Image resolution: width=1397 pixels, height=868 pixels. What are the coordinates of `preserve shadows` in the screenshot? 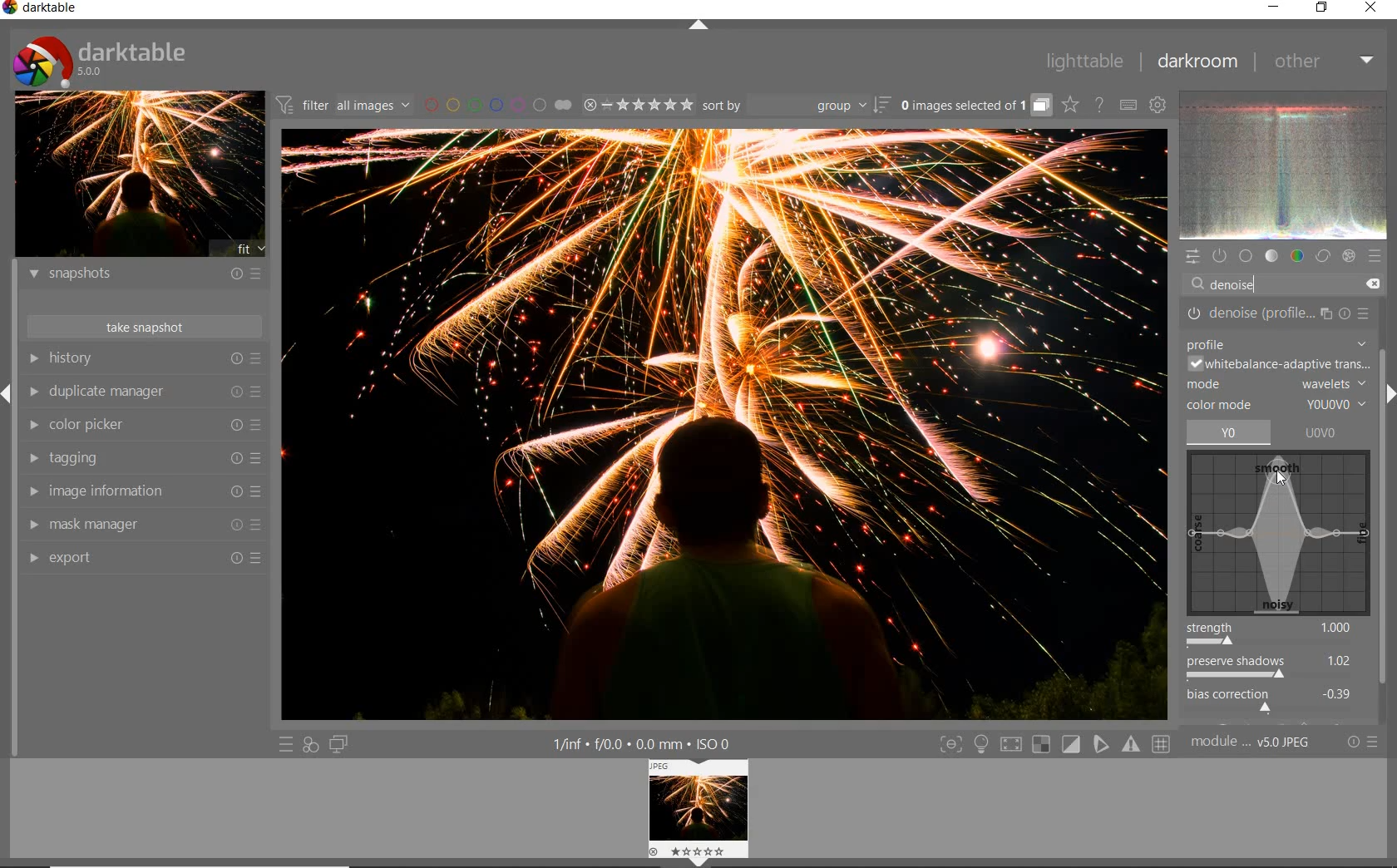 It's located at (1276, 670).